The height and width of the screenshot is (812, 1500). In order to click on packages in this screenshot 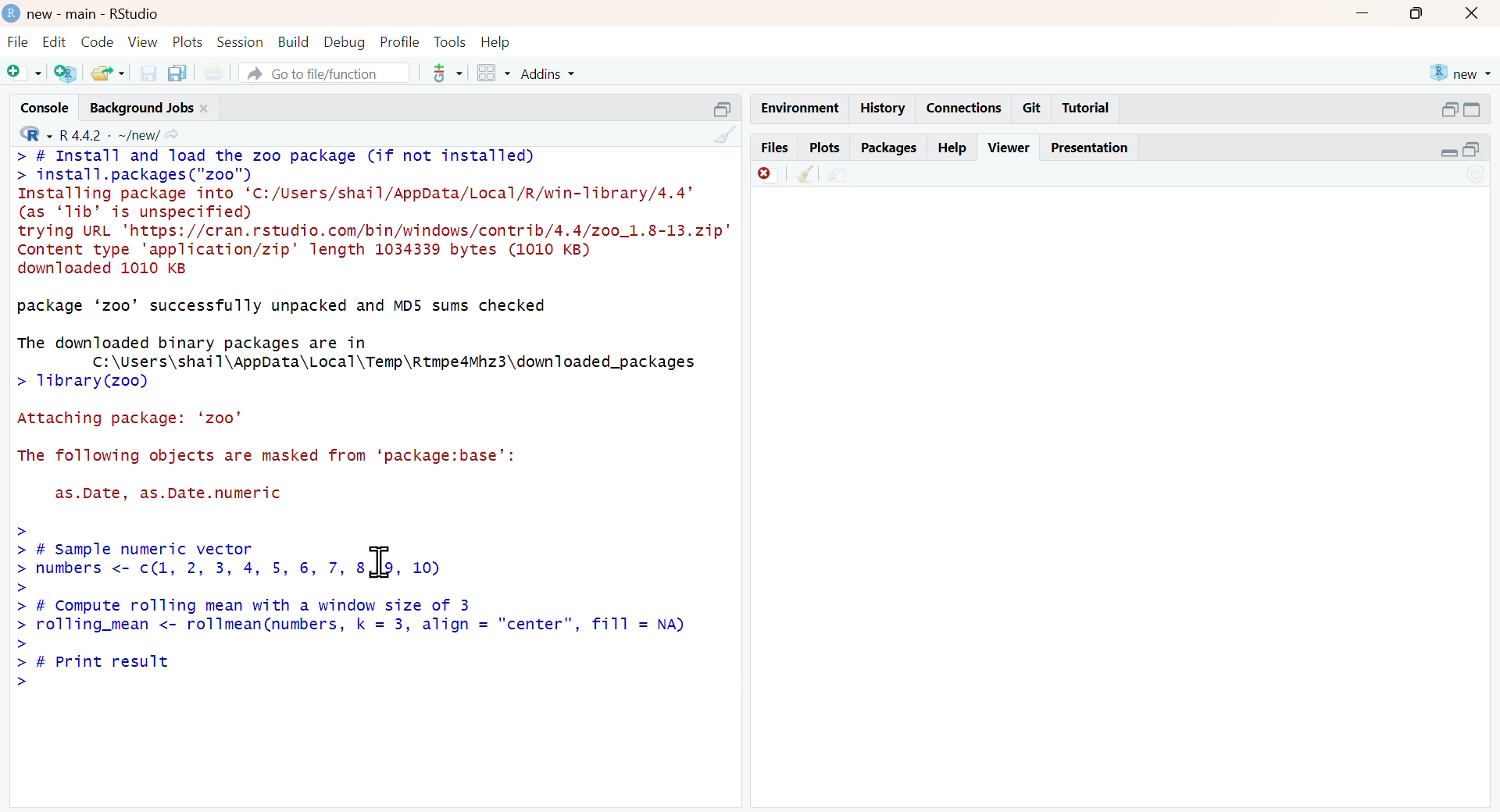, I will do `click(890, 148)`.